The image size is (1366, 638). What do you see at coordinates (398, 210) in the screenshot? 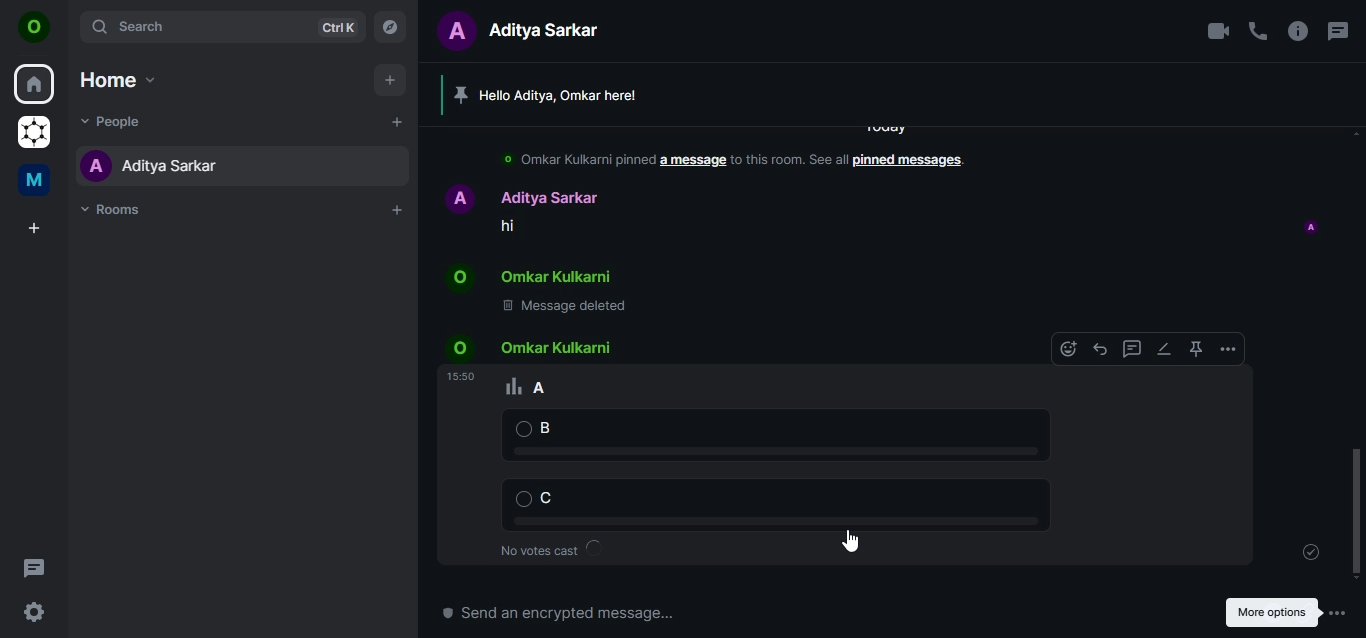
I see `add room` at bounding box center [398, 210].